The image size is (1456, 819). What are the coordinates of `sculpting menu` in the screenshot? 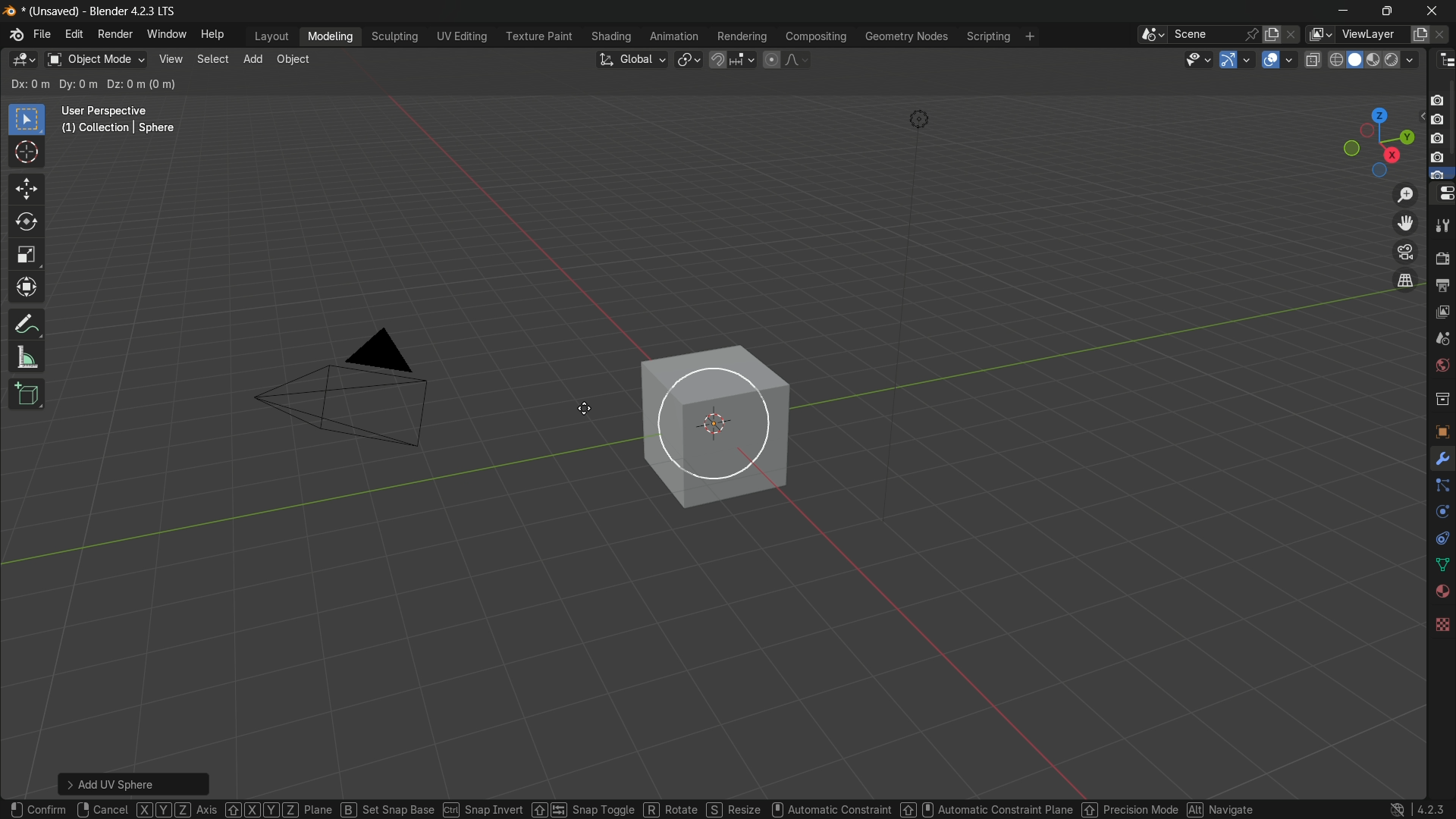 It's located at (395, 36).